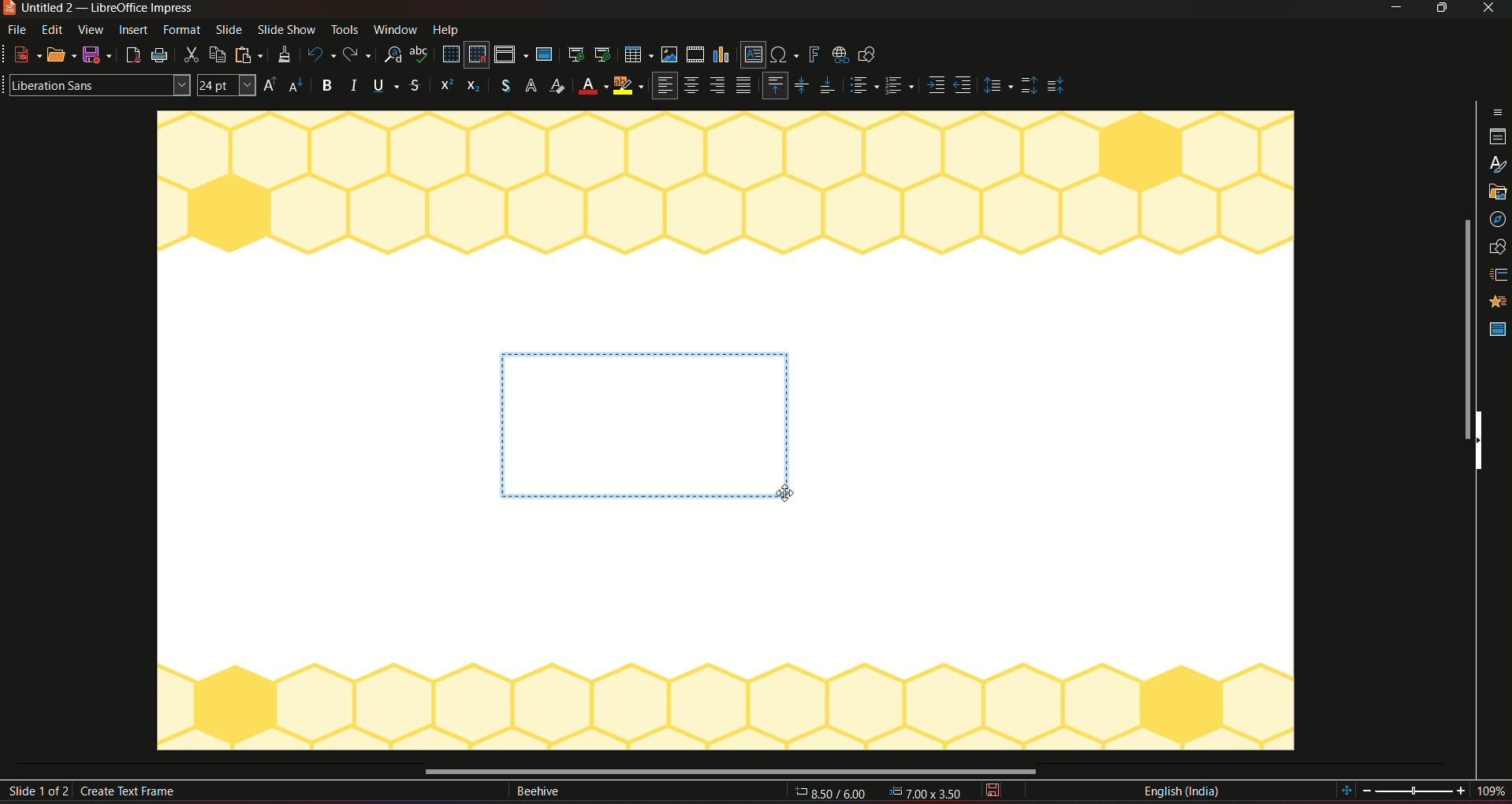  What do you see at coordinates (602, 55) in the screenshot?
I see `start from current slide` at bounding box center [602, 55].